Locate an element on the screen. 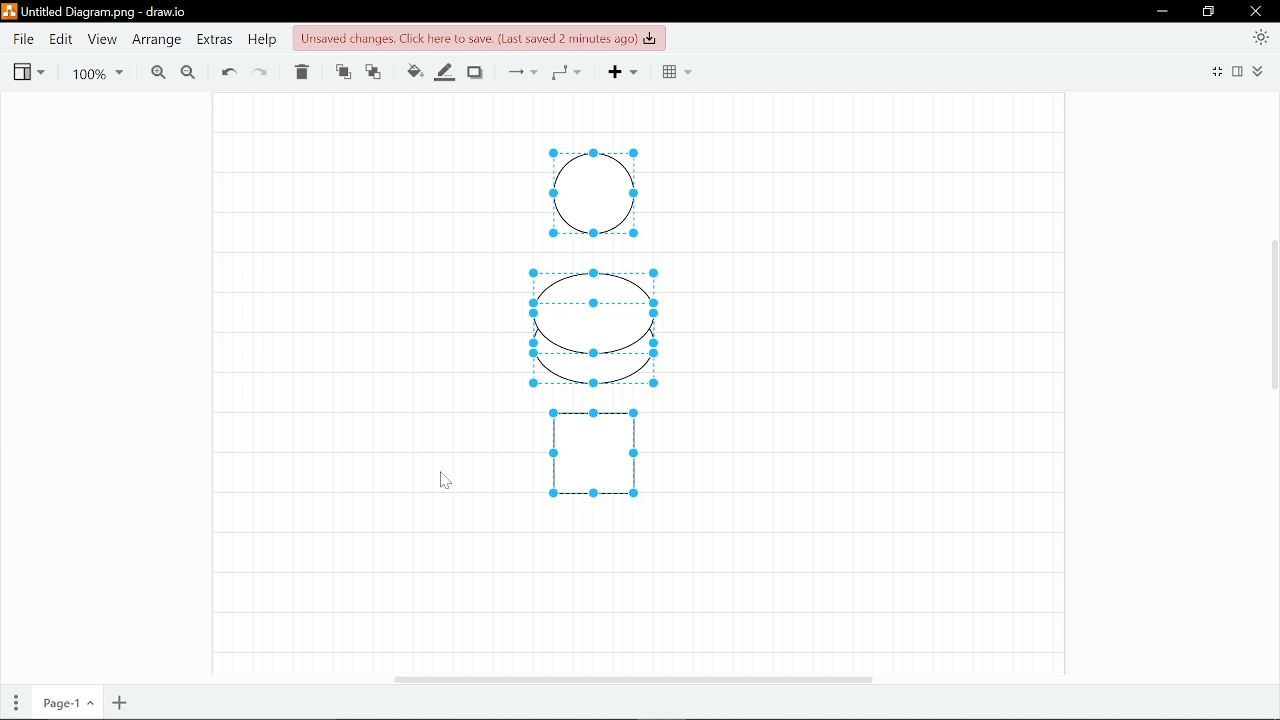  Arrange is located at coordinates (158, 40).